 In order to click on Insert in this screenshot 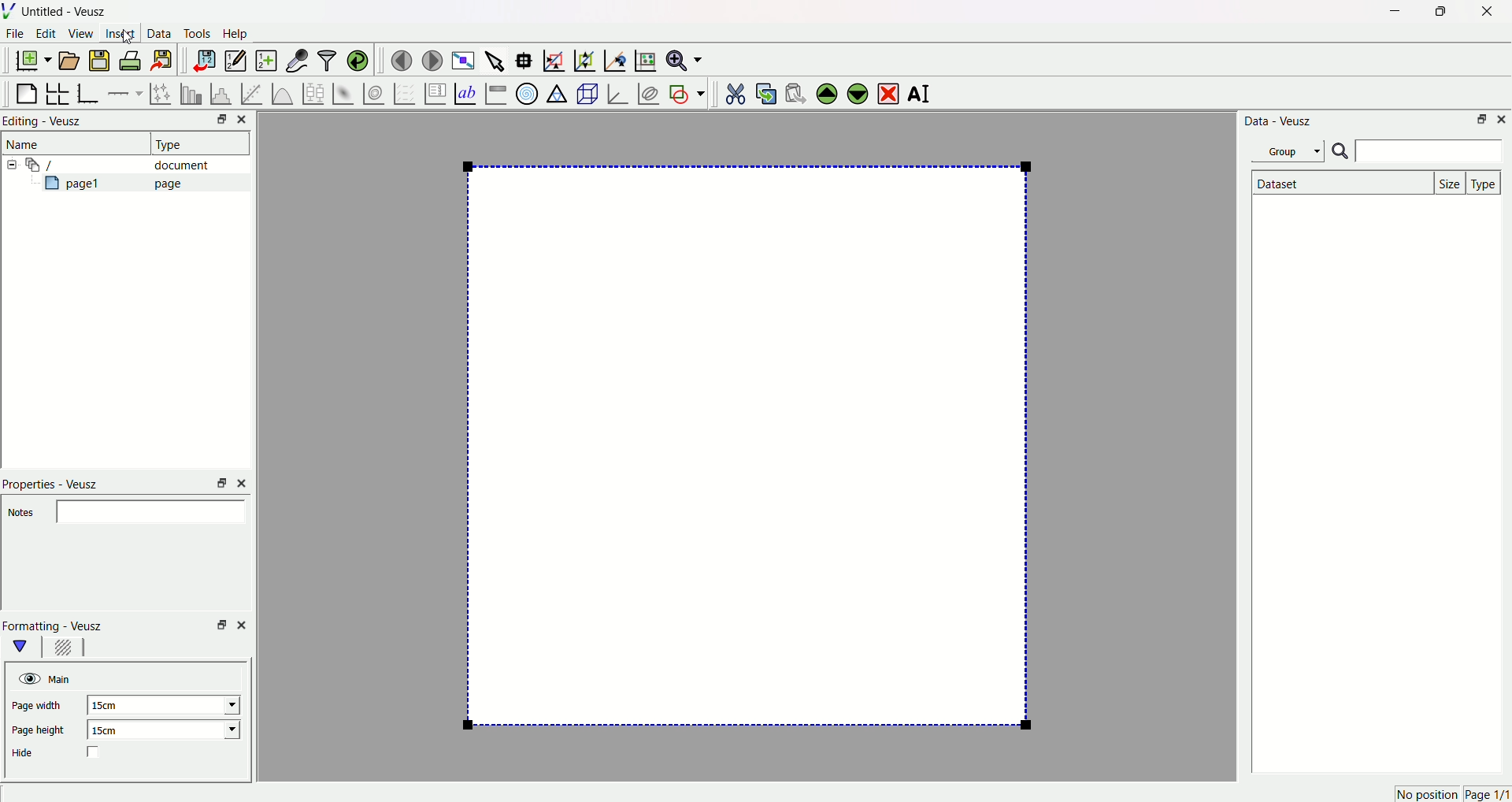, I will do `click(120, 35)`.